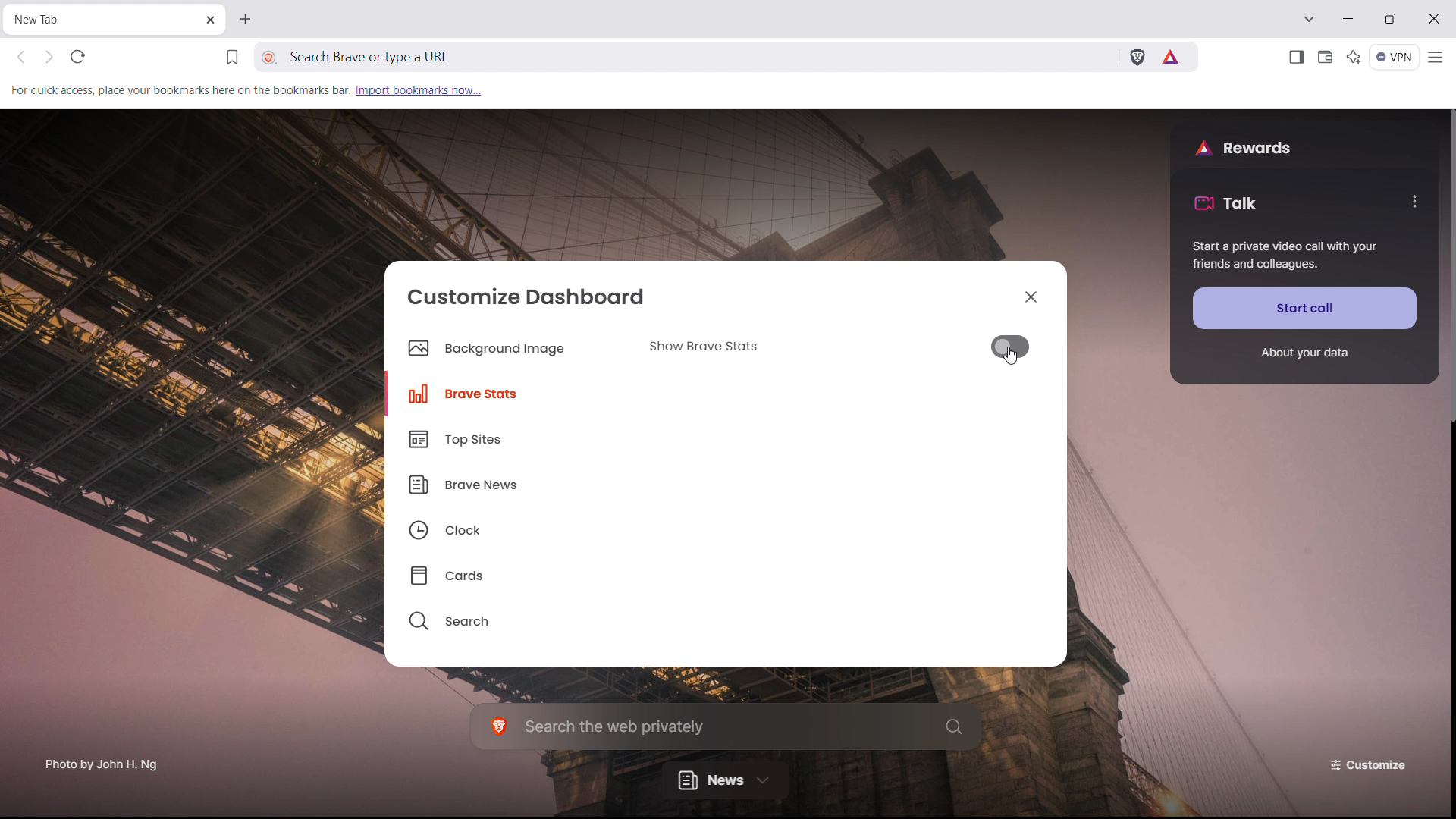  Describe the element at coordinates (1304, 353) in the screenshot. I see `About your data` at that location.